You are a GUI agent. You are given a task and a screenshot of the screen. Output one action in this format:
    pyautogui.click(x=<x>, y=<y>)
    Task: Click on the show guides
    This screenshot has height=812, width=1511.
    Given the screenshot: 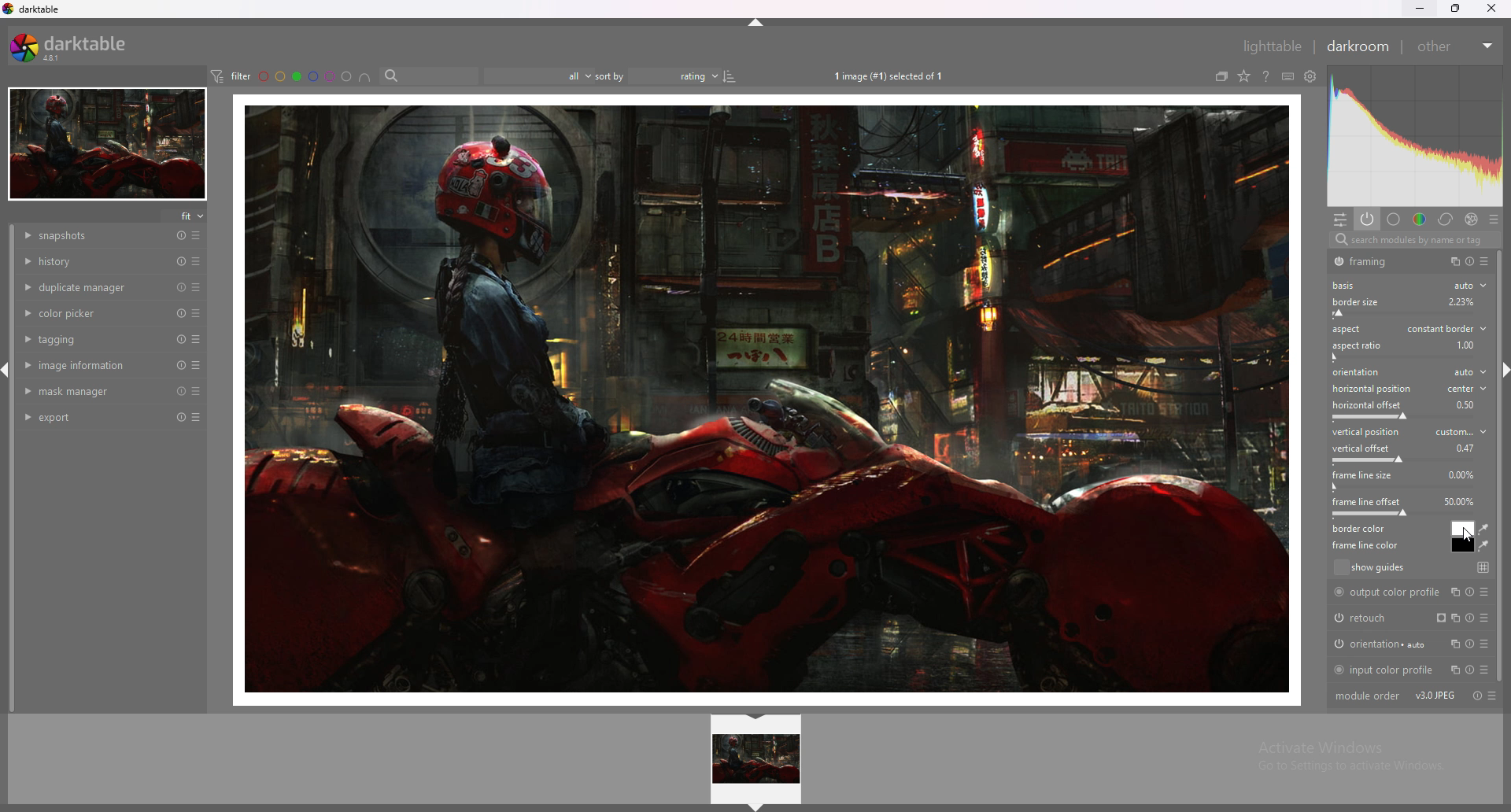 What is the action you would take?
    pyautogui.click(x=1410, y=568)
    